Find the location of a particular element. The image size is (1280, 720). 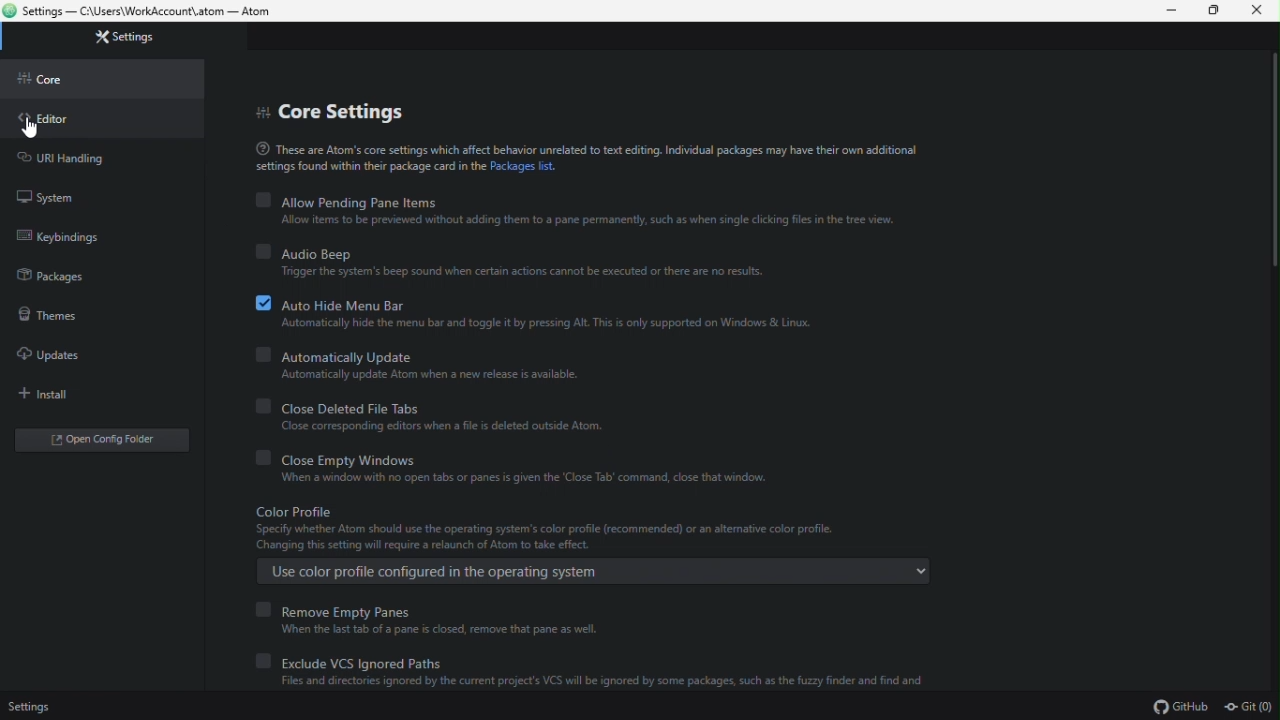

Install  is located at coordinates (55, 395).